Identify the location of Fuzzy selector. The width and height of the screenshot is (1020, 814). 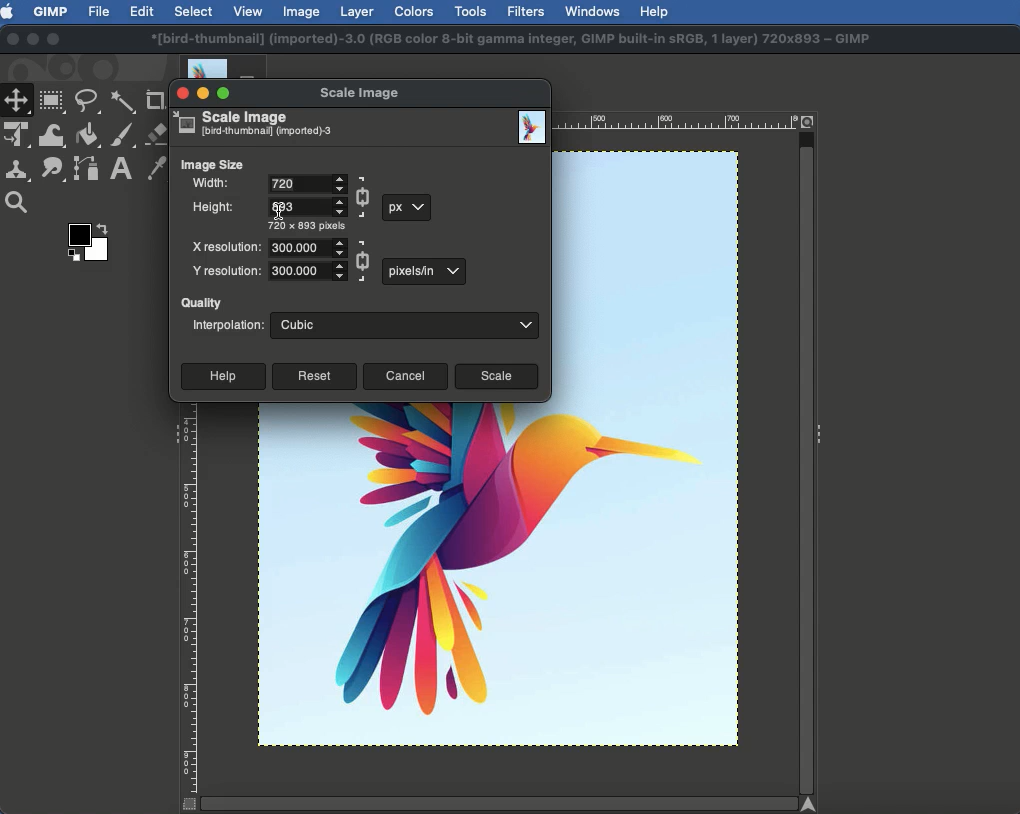
(122, 100).